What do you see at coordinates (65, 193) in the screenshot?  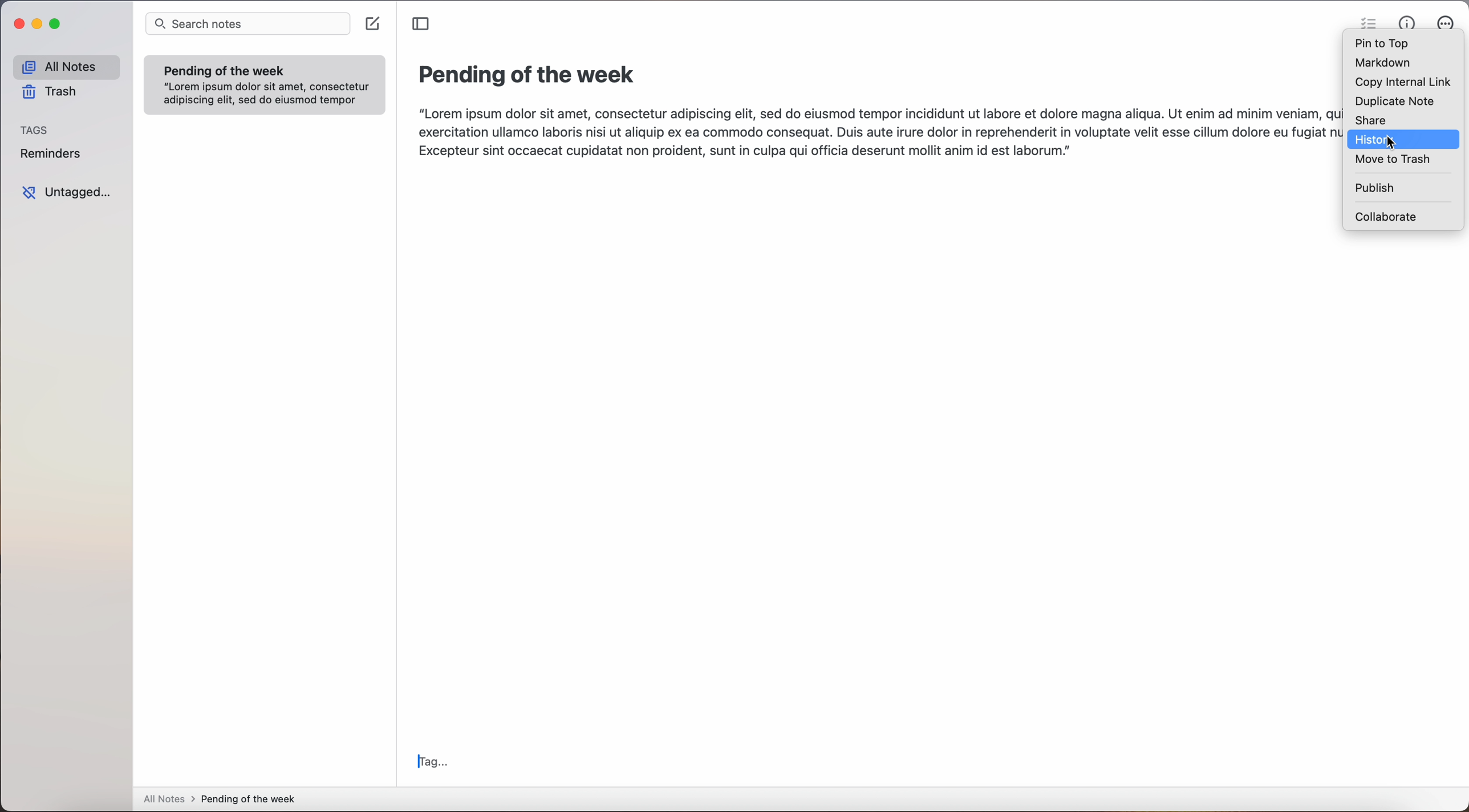 I see `untagged` at bounding box center [65, 193].